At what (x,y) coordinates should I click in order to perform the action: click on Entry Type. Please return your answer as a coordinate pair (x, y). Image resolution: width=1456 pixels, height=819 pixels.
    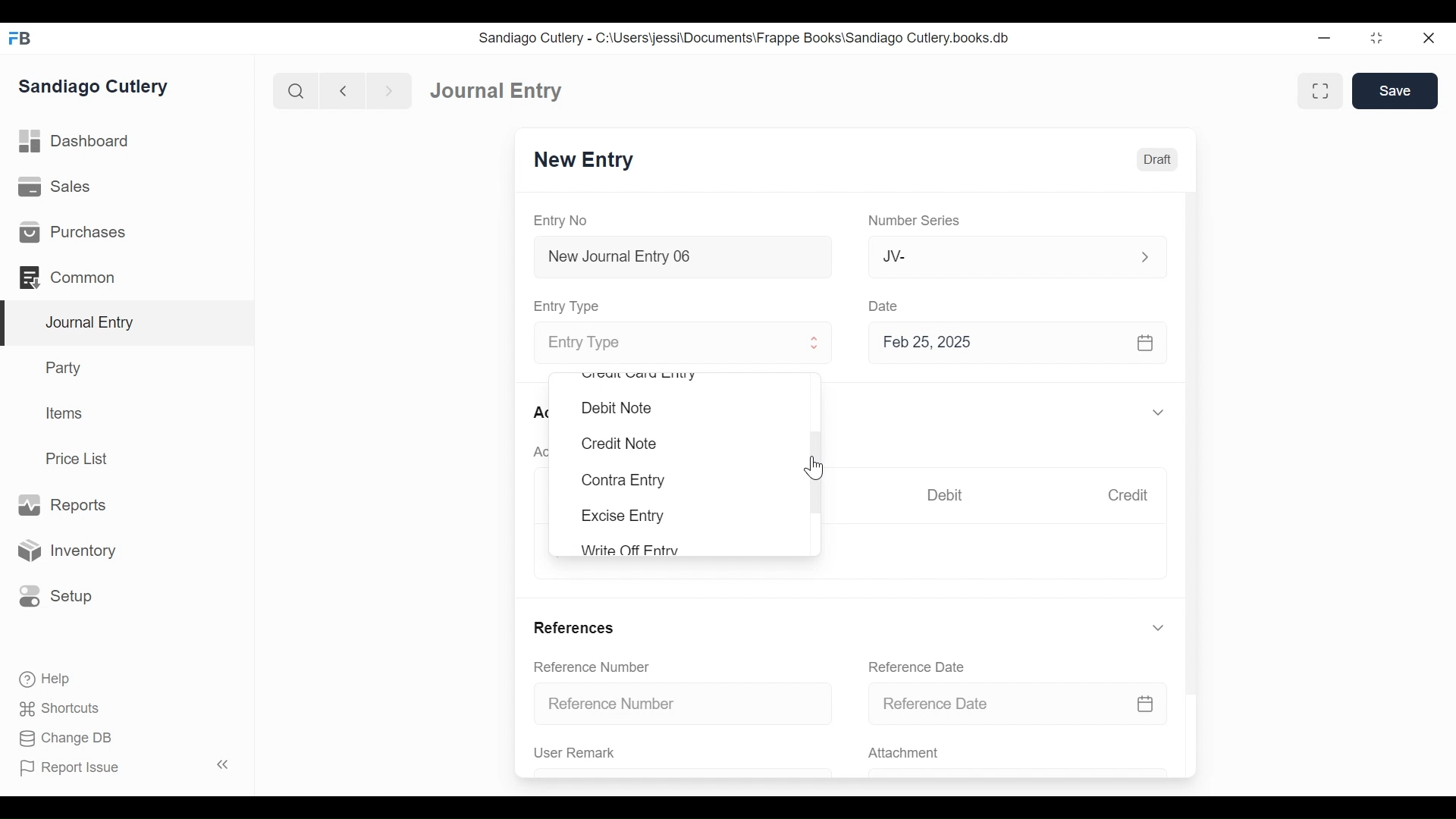
    Looking at the image, I should click on (670, 344).